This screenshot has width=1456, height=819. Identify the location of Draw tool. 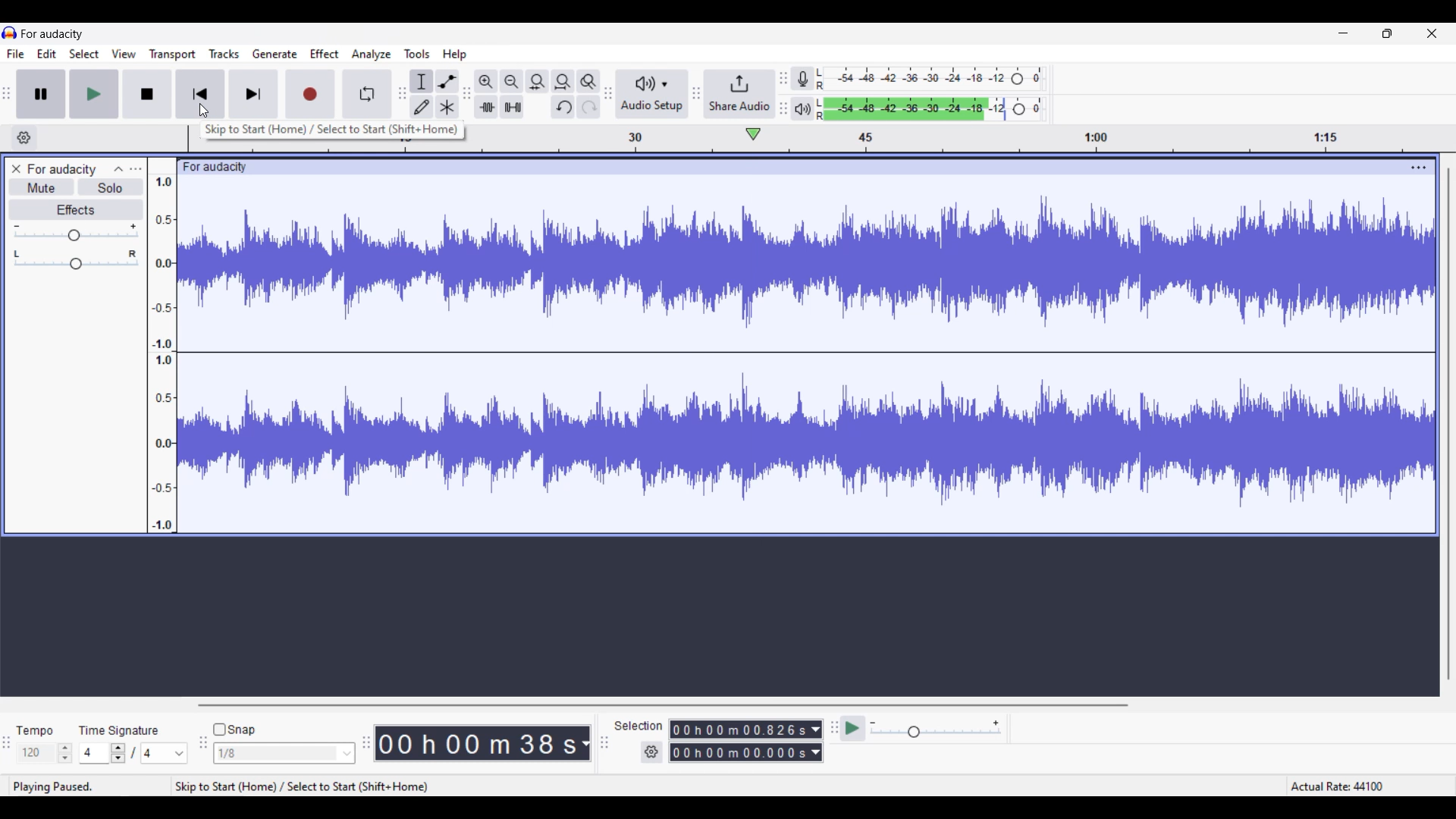
(422, 107).